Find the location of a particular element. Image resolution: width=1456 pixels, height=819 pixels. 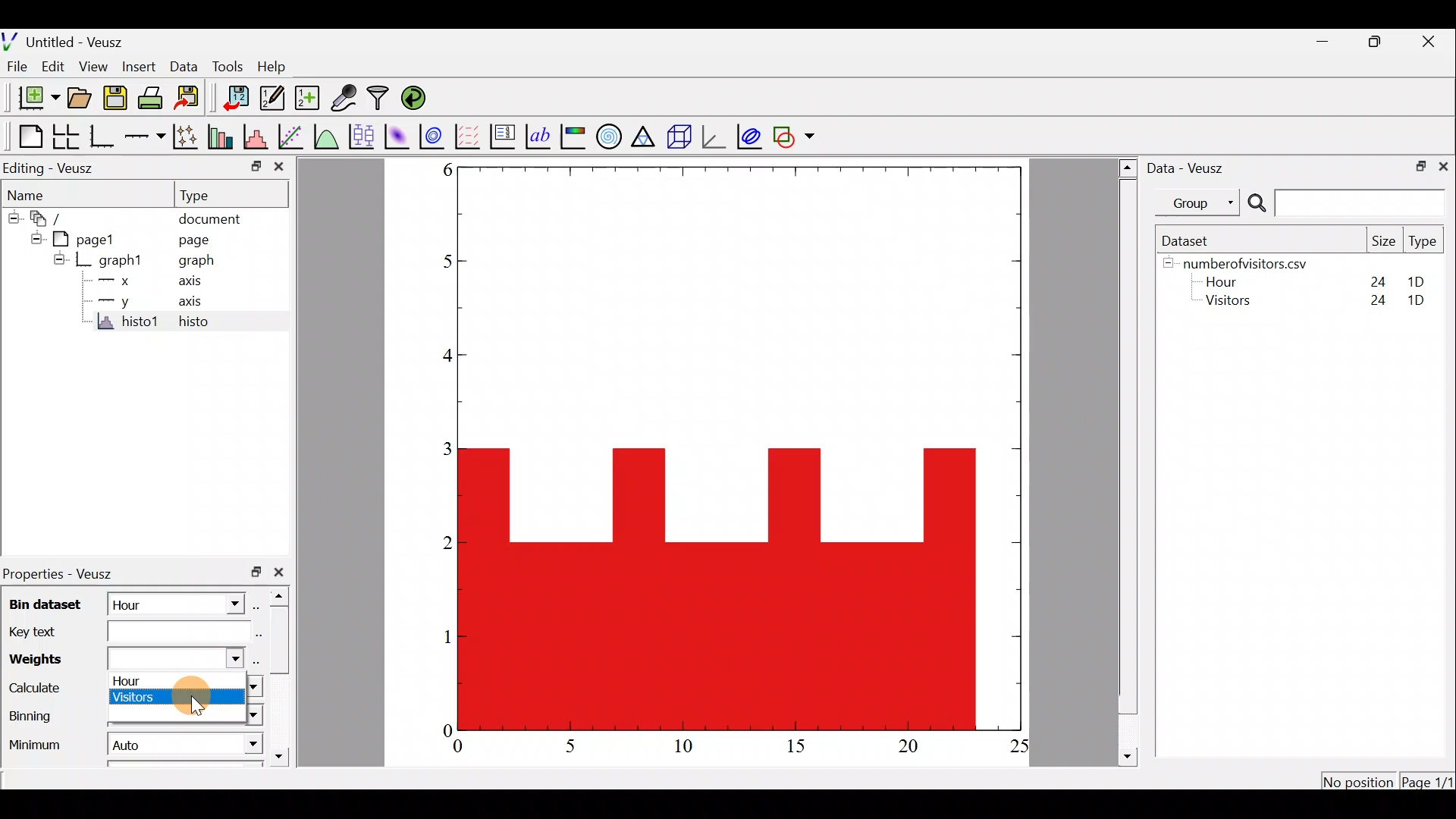

Page1/1 is located at coordinates (1426, 780).